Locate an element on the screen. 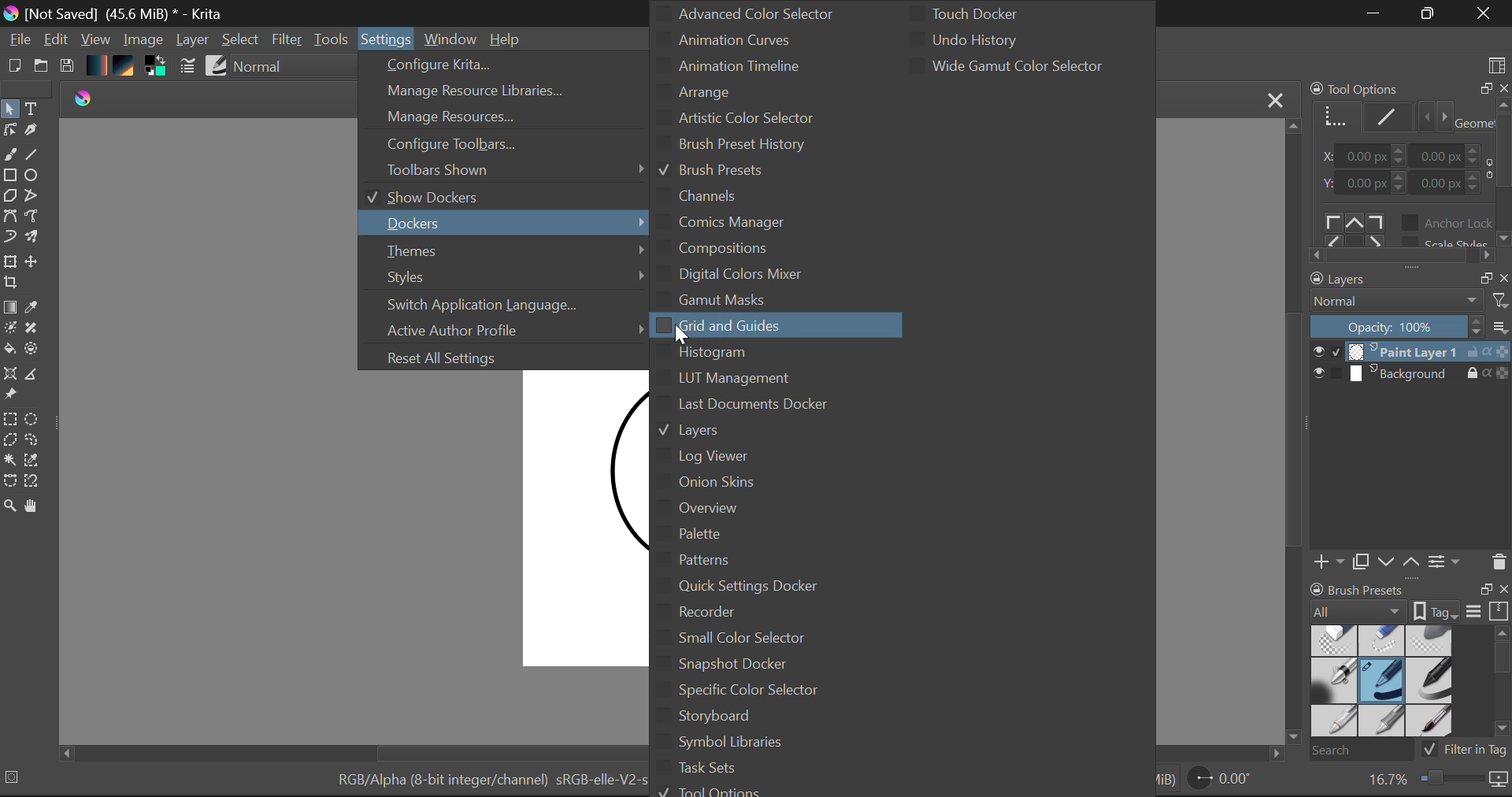 Image resolution: width=1512 pixels, height=797 pixels. Select is located at coordinates (10, 109).